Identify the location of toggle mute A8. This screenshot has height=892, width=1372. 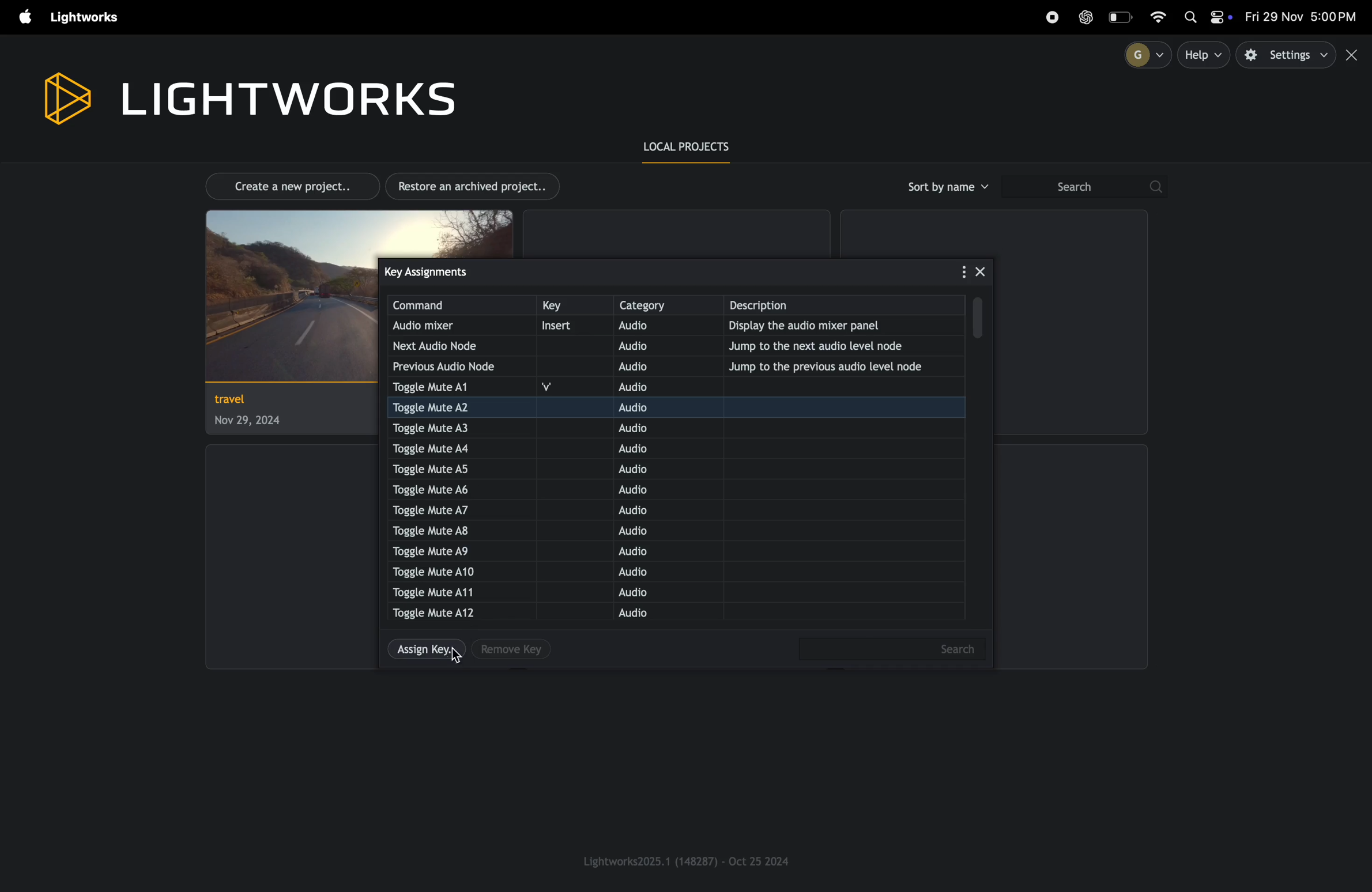
(446, 531).